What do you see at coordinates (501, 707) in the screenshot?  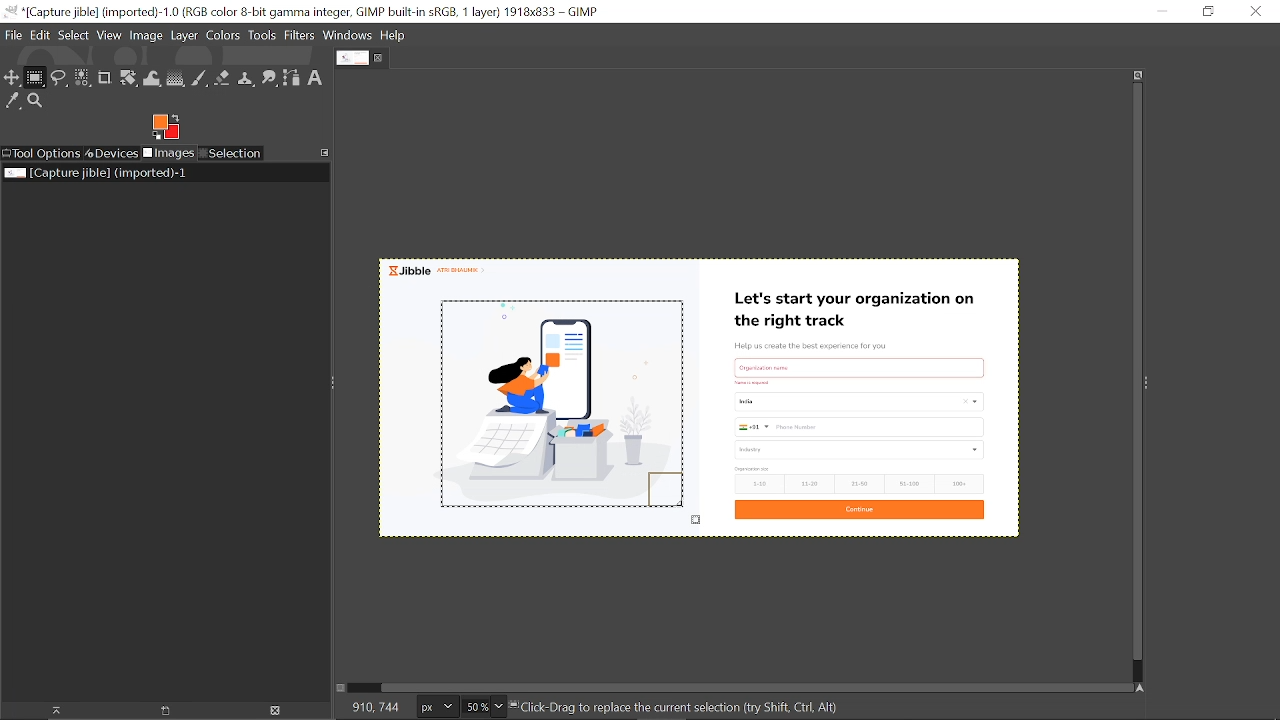 I see `Zoom options` at bounding box center [501, 707].